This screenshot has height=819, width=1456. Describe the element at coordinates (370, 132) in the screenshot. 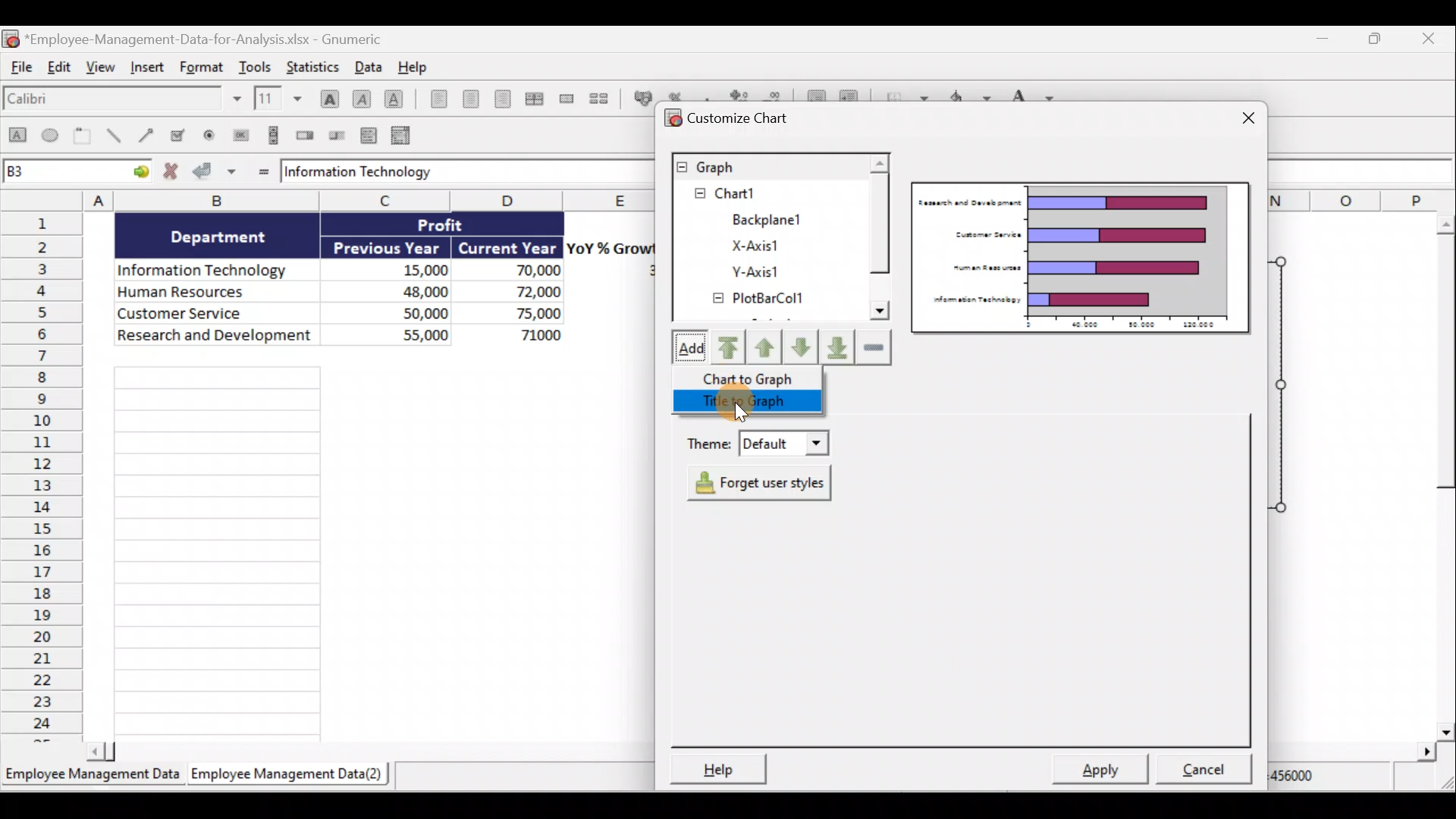

I see `Create a list` at that location.